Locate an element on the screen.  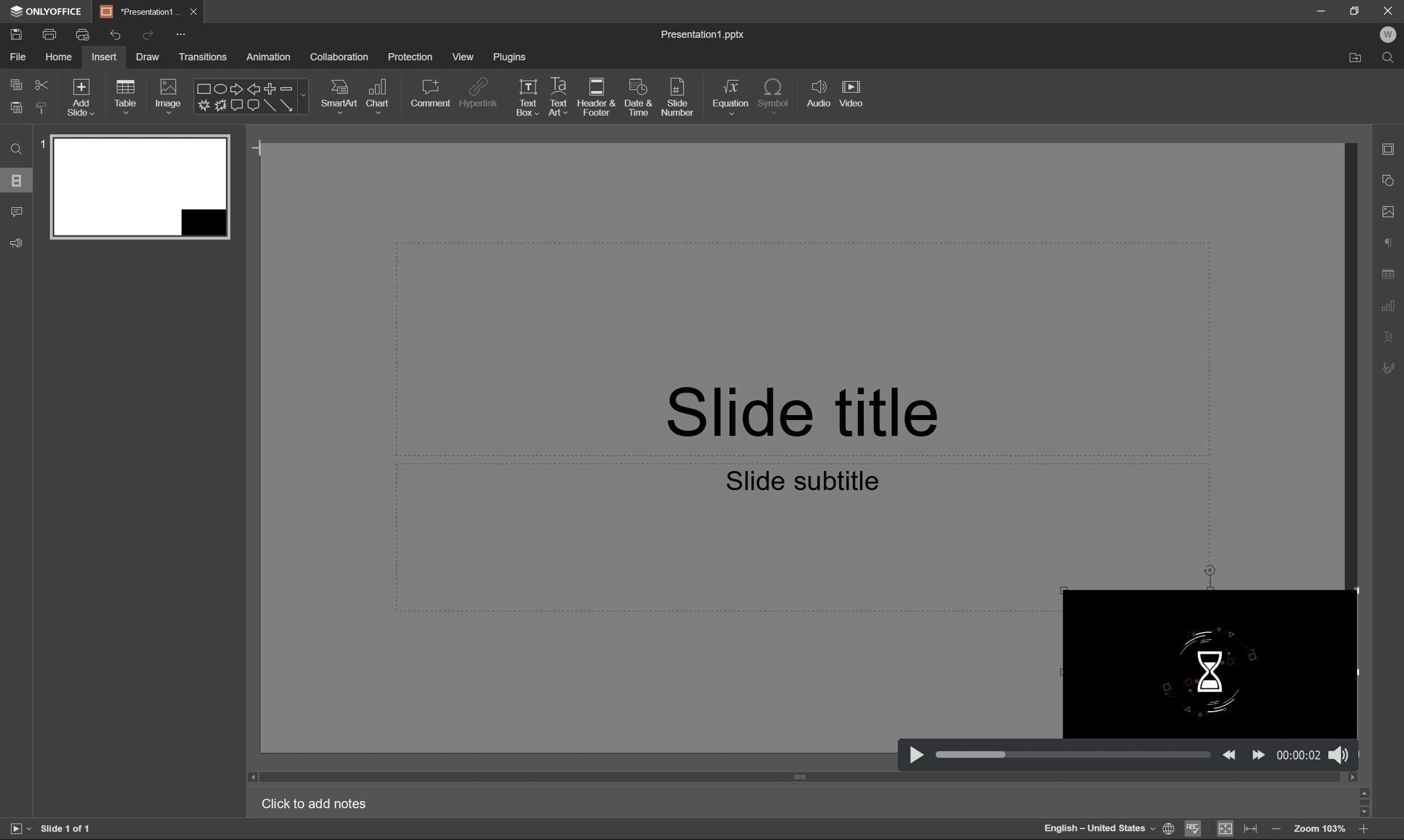
fit to slide is located at coordinates (1224, 829).